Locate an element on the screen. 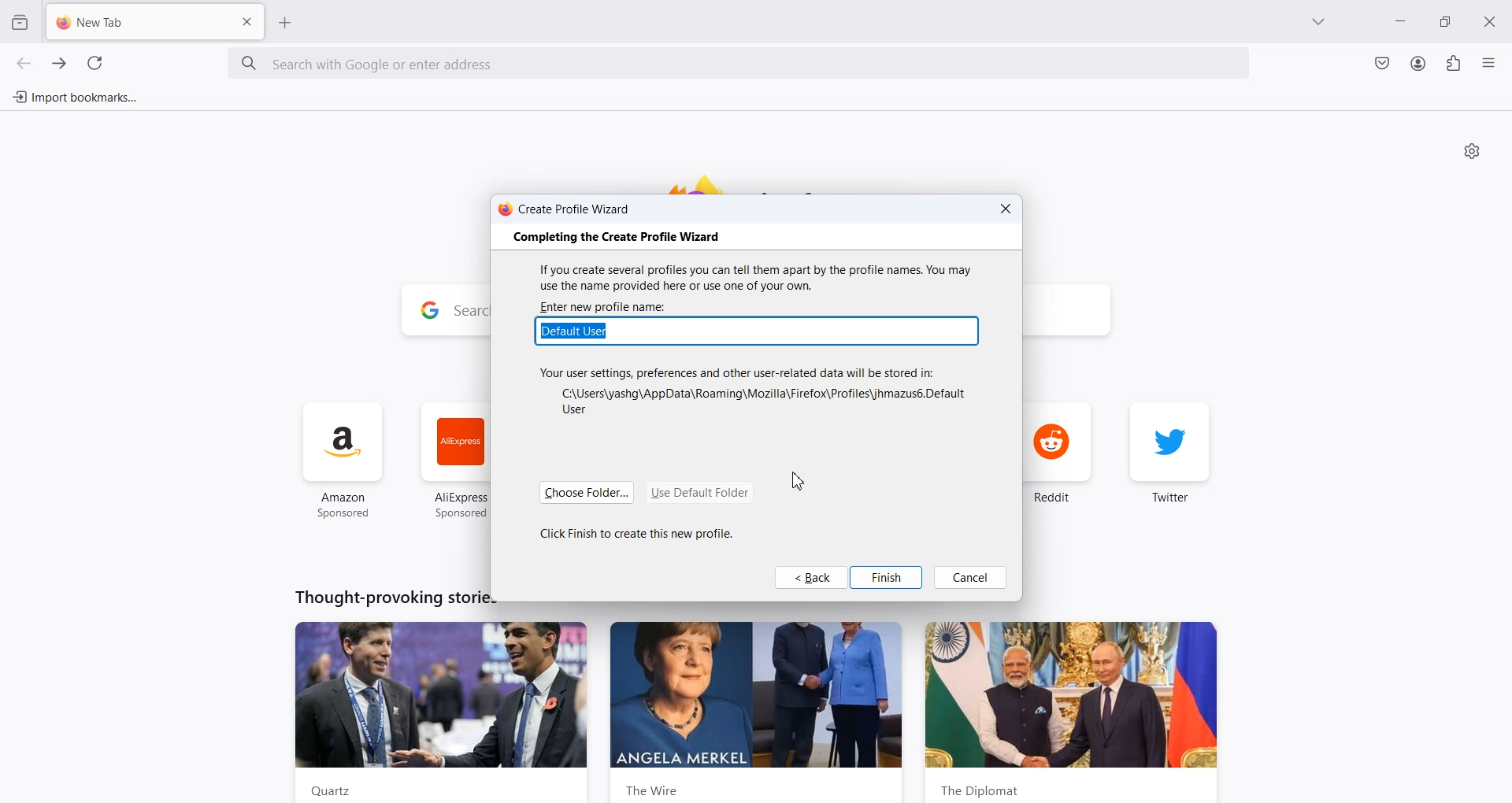 The width and height of the screenshot is (1512, 803). Use Default Folder is located at coordinates (701, 493).